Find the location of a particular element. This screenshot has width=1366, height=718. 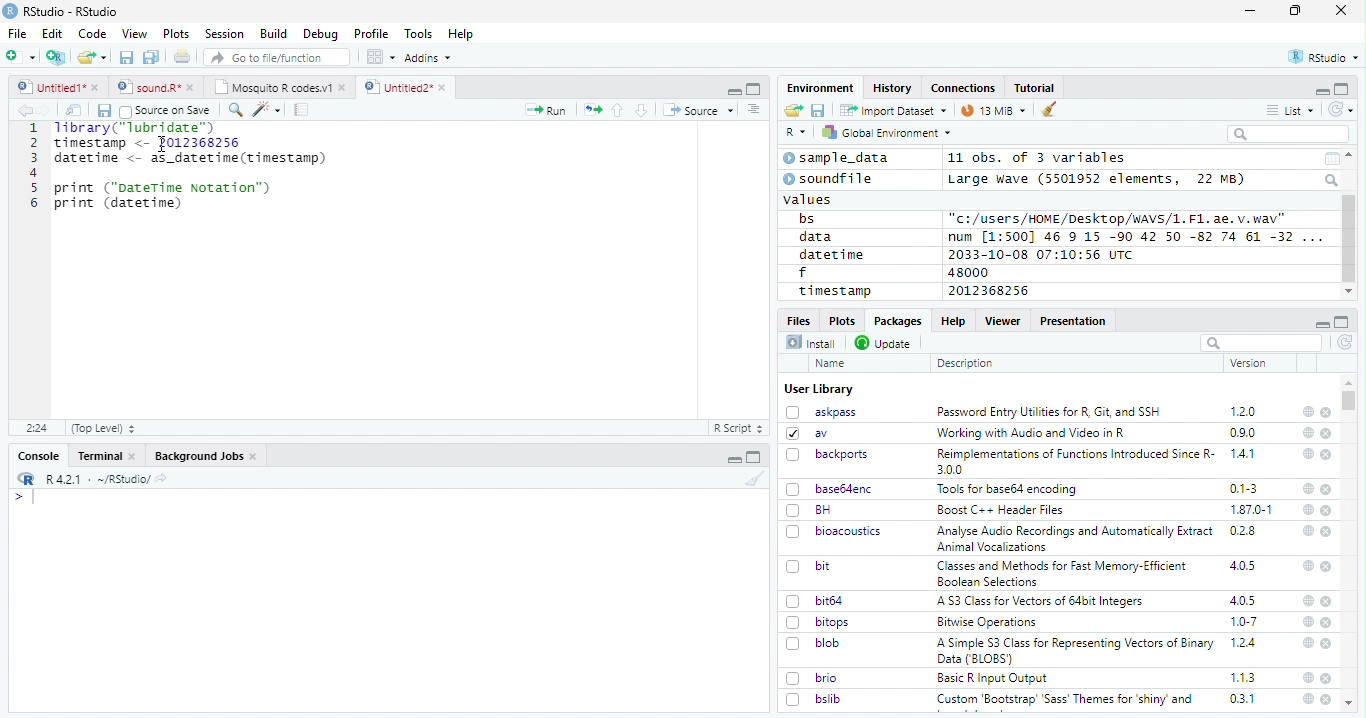

close is located at coordinates (1327, 623).